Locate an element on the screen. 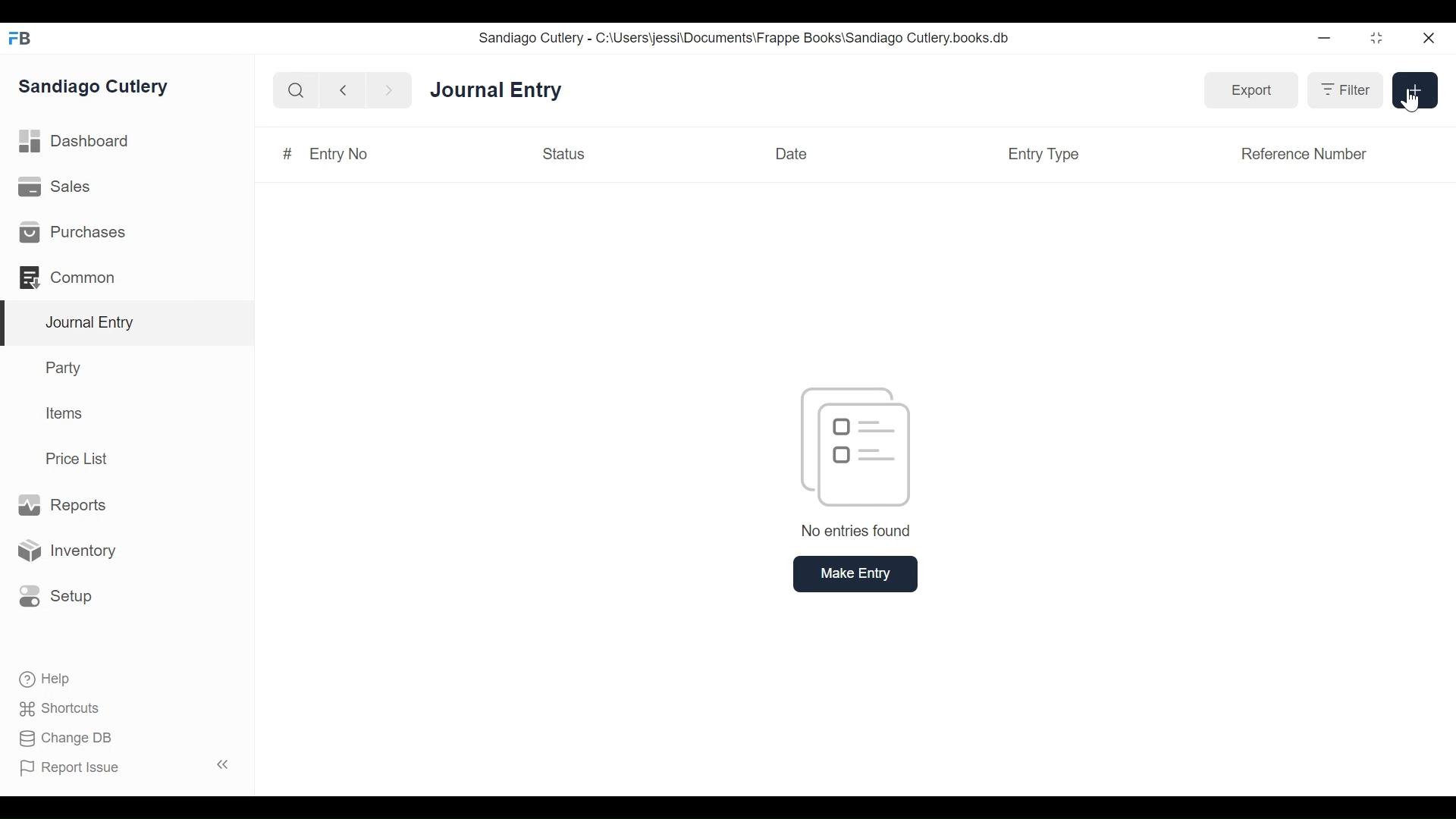  Restore is located at coordinates (1379, 37).